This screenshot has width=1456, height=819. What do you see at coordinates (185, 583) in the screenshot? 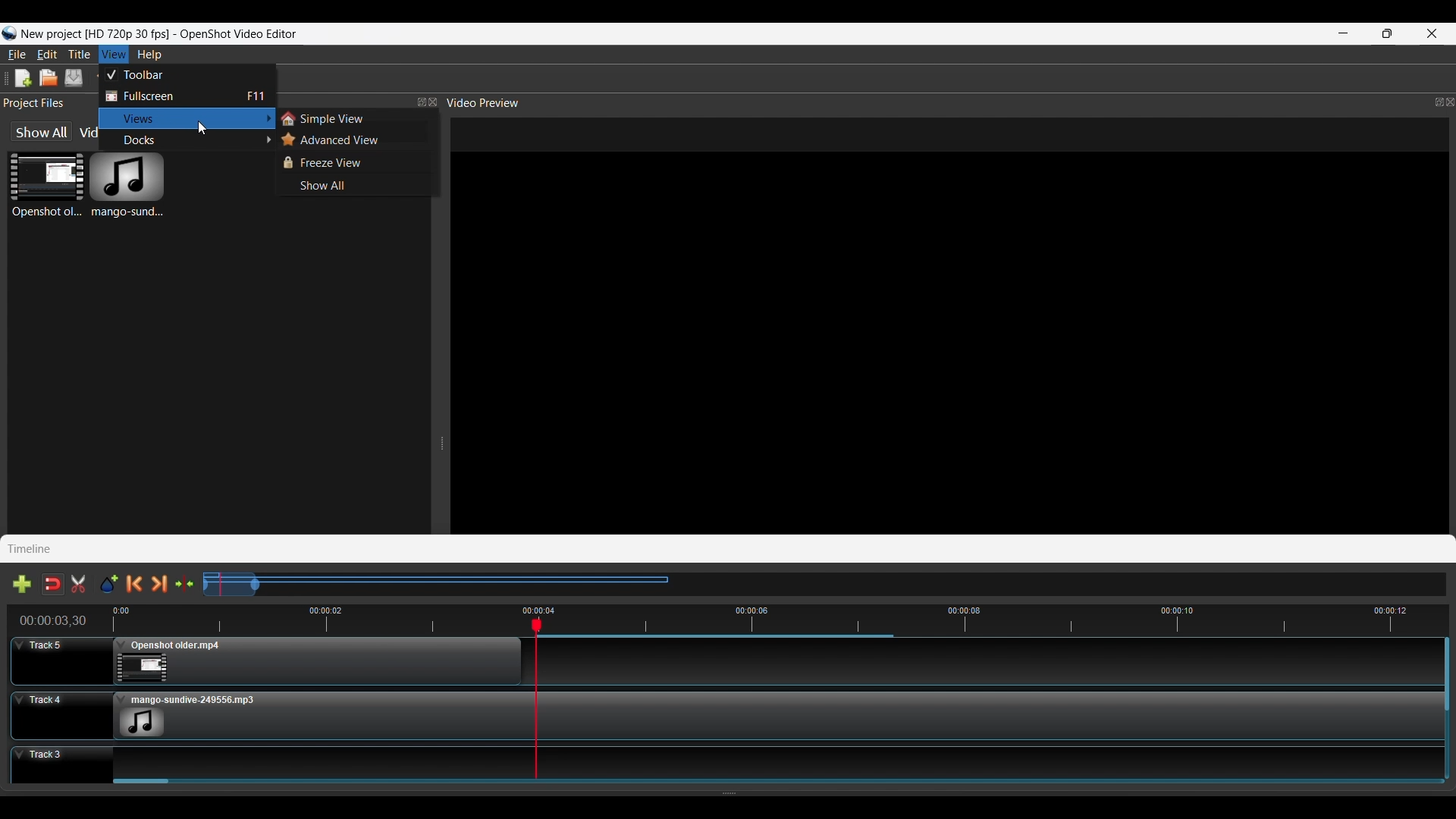
I see `Center the timeline on the playhead` at bounding box center [185, 583].